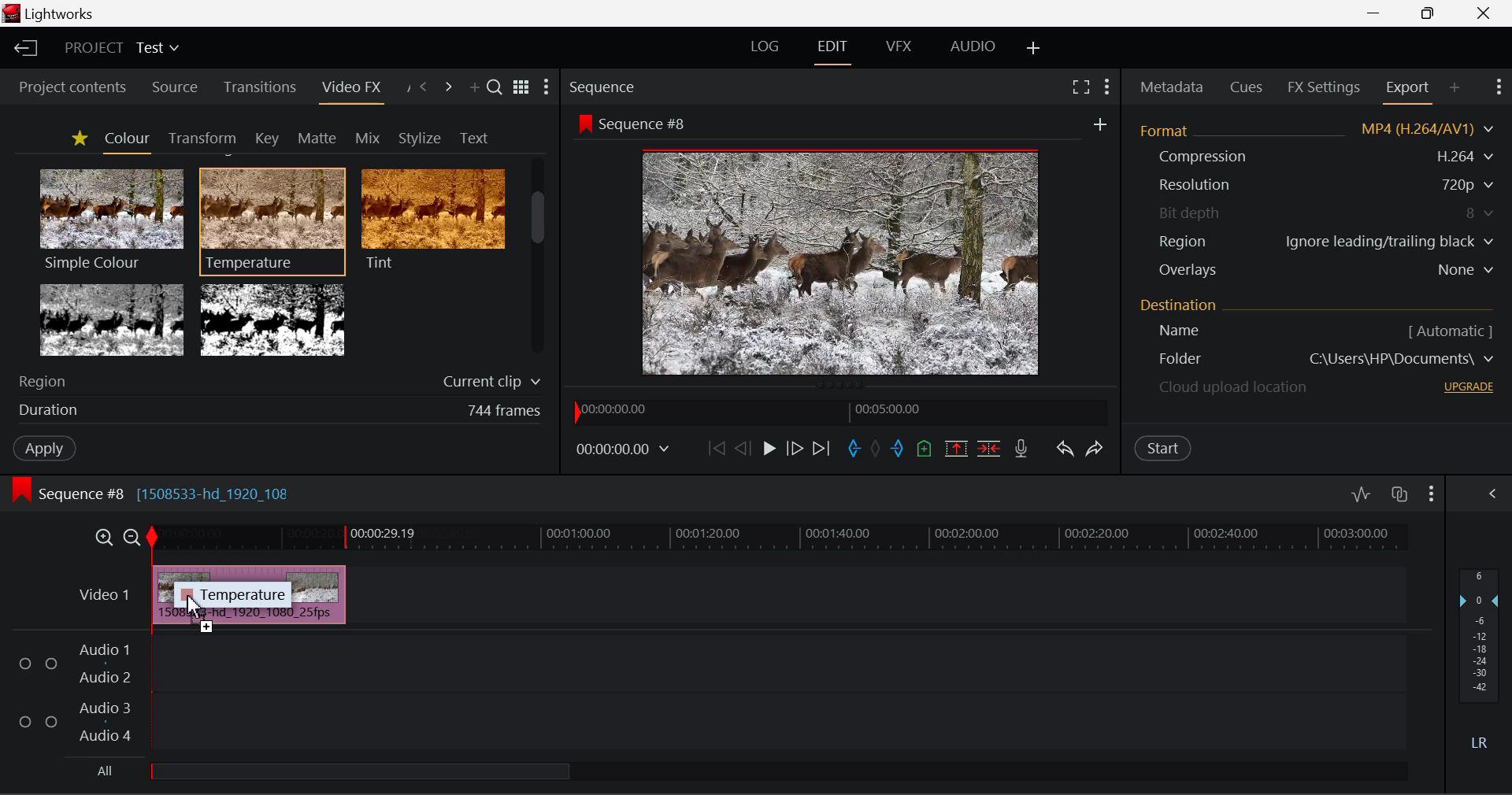 This screenshot has height=795, width=1512. What do you see at coordinates (1409, 92) in the screenshot?
I see `Export` at bounding box center [1409, 92].